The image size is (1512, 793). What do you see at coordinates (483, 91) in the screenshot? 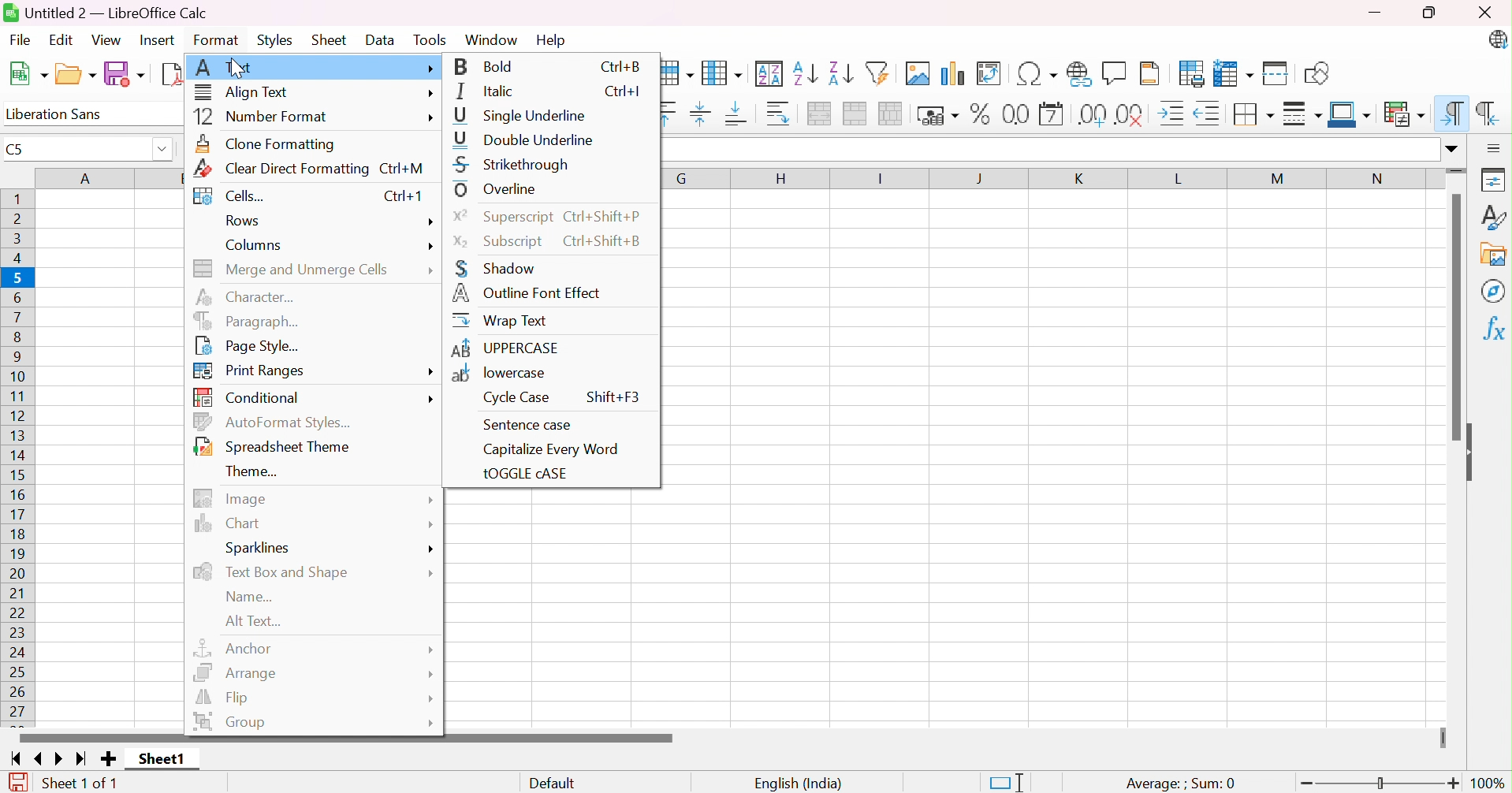
I see `Italic` at bounding box center [483, 91].